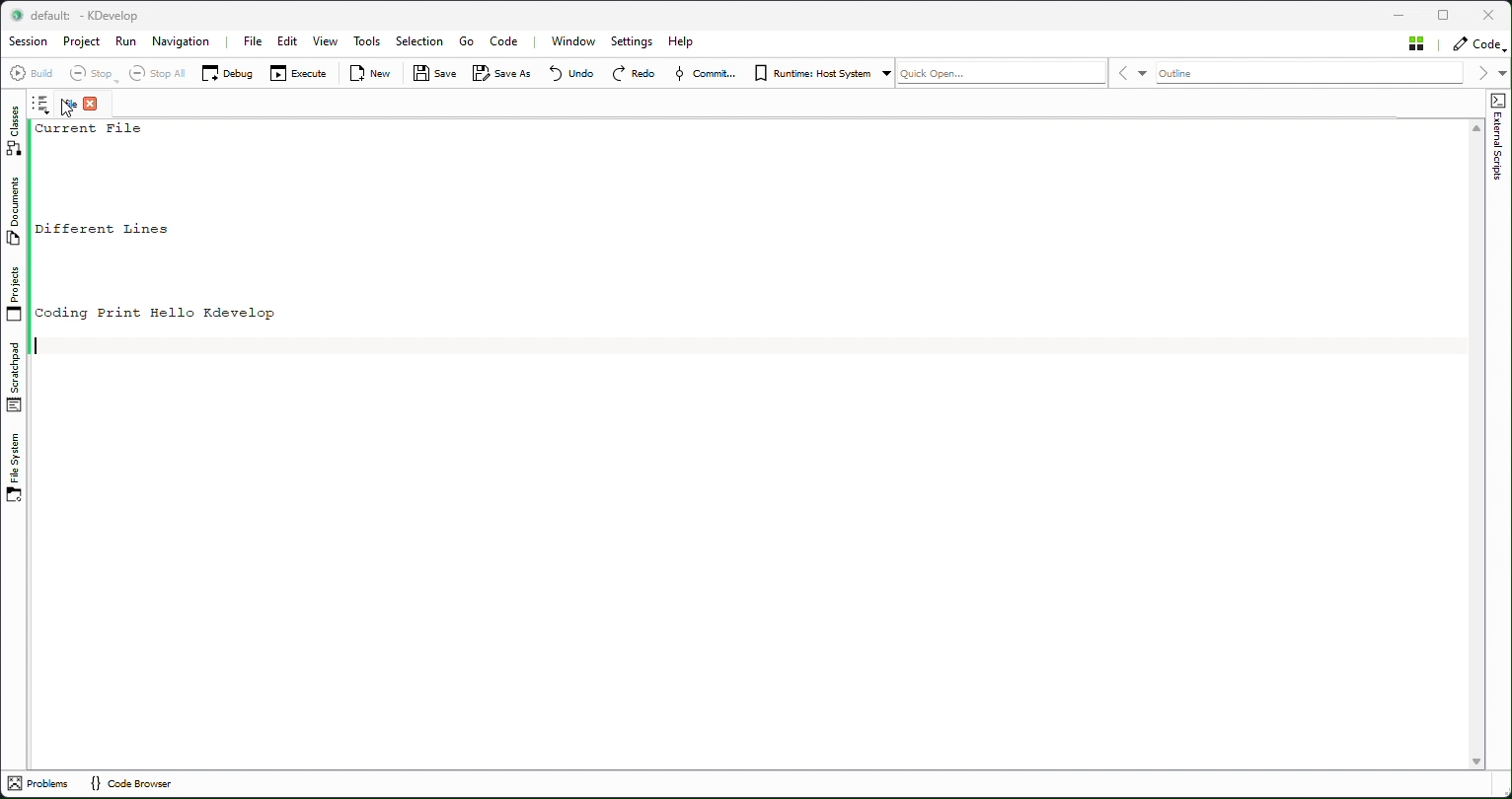 The width and height of the screenshot is (1512, 799). I want to click on default kdevelop, so click(82, 17).